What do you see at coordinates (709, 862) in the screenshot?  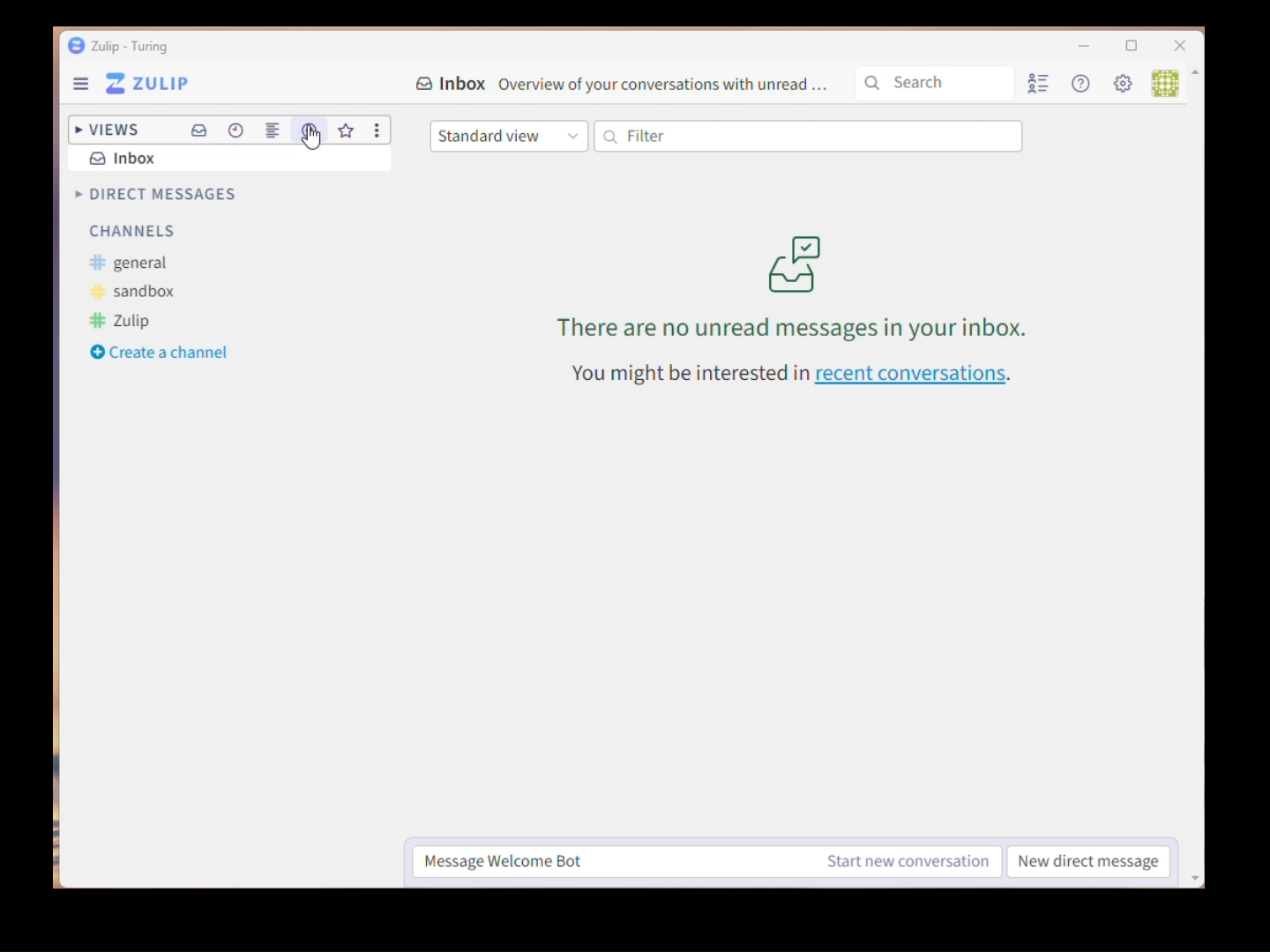 I see `Message Welcome Bot Start new conversation` at bounding box center [709, 862].